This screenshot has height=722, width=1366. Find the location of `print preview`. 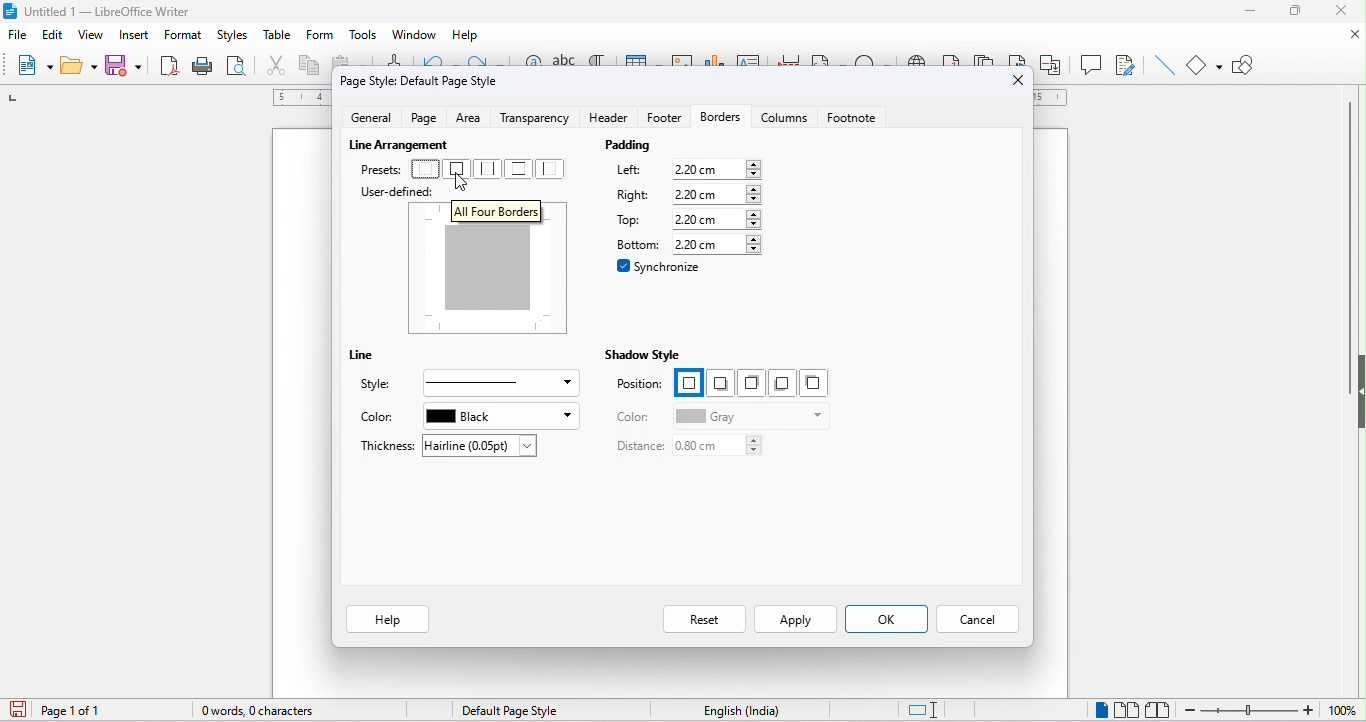

print preview is located at coordinates (240, 69).